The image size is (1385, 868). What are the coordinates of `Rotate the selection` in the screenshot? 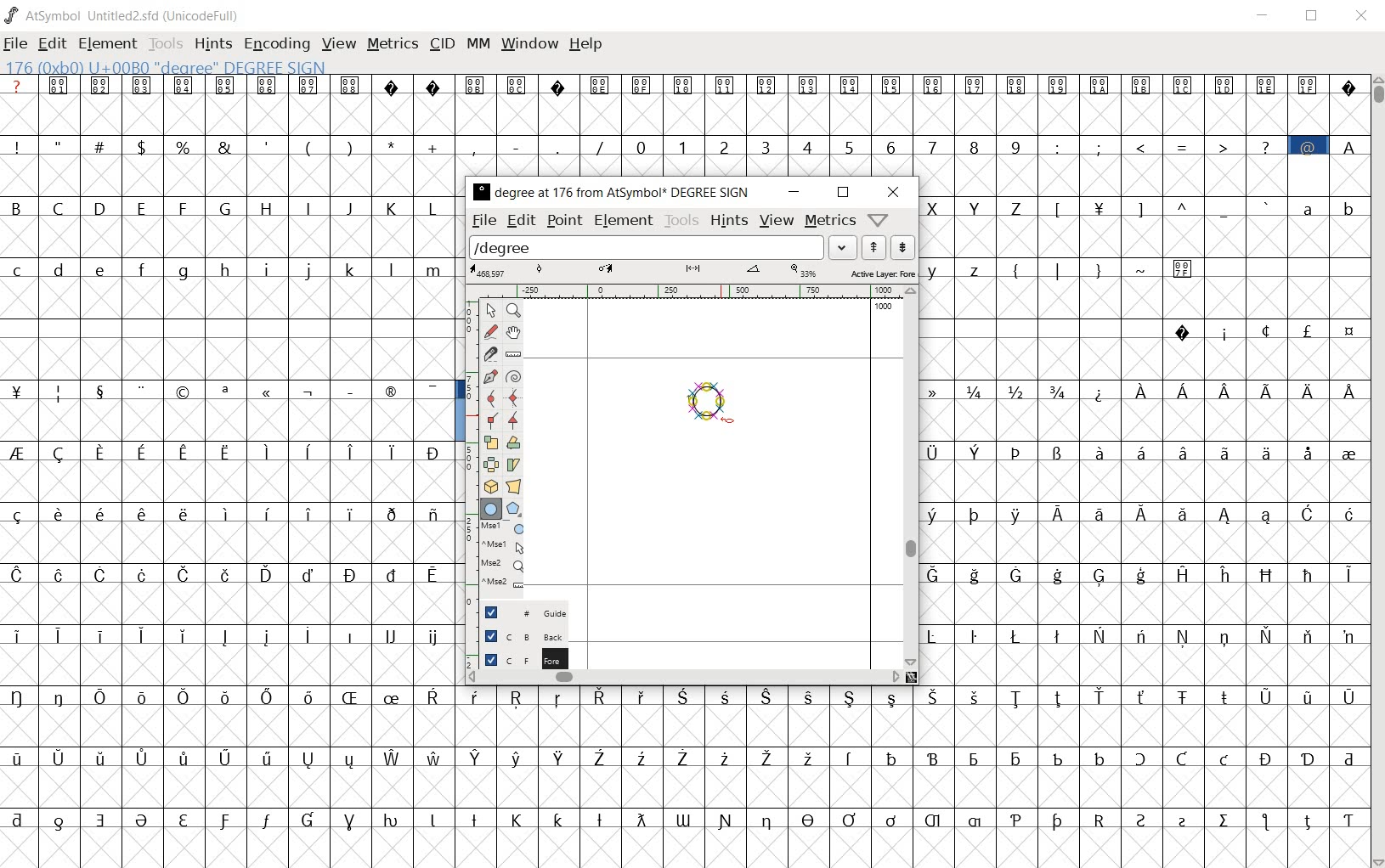 It's located at (513, 442).